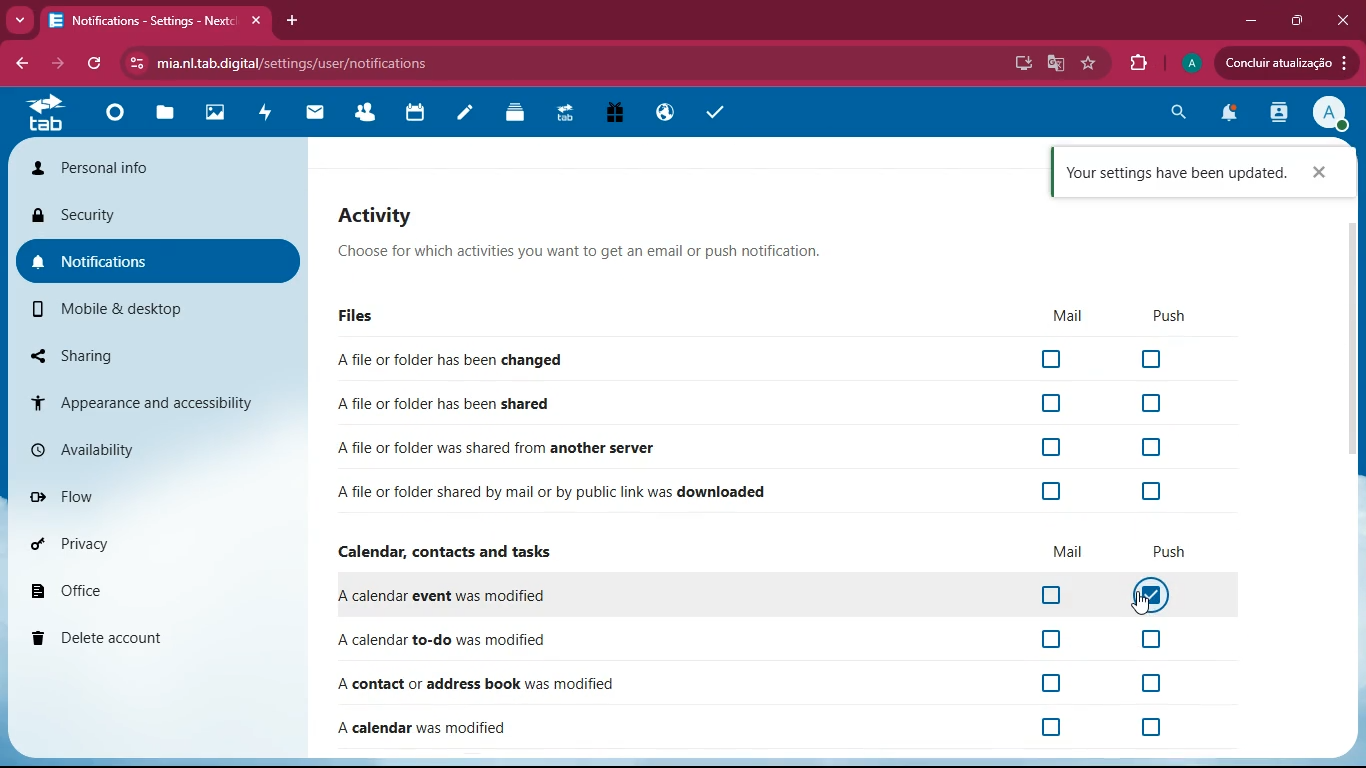 This screenshot has width=1366, height=768. Describe the element at coordinates (160, 217) in the screenshot. I see `security` at that location.